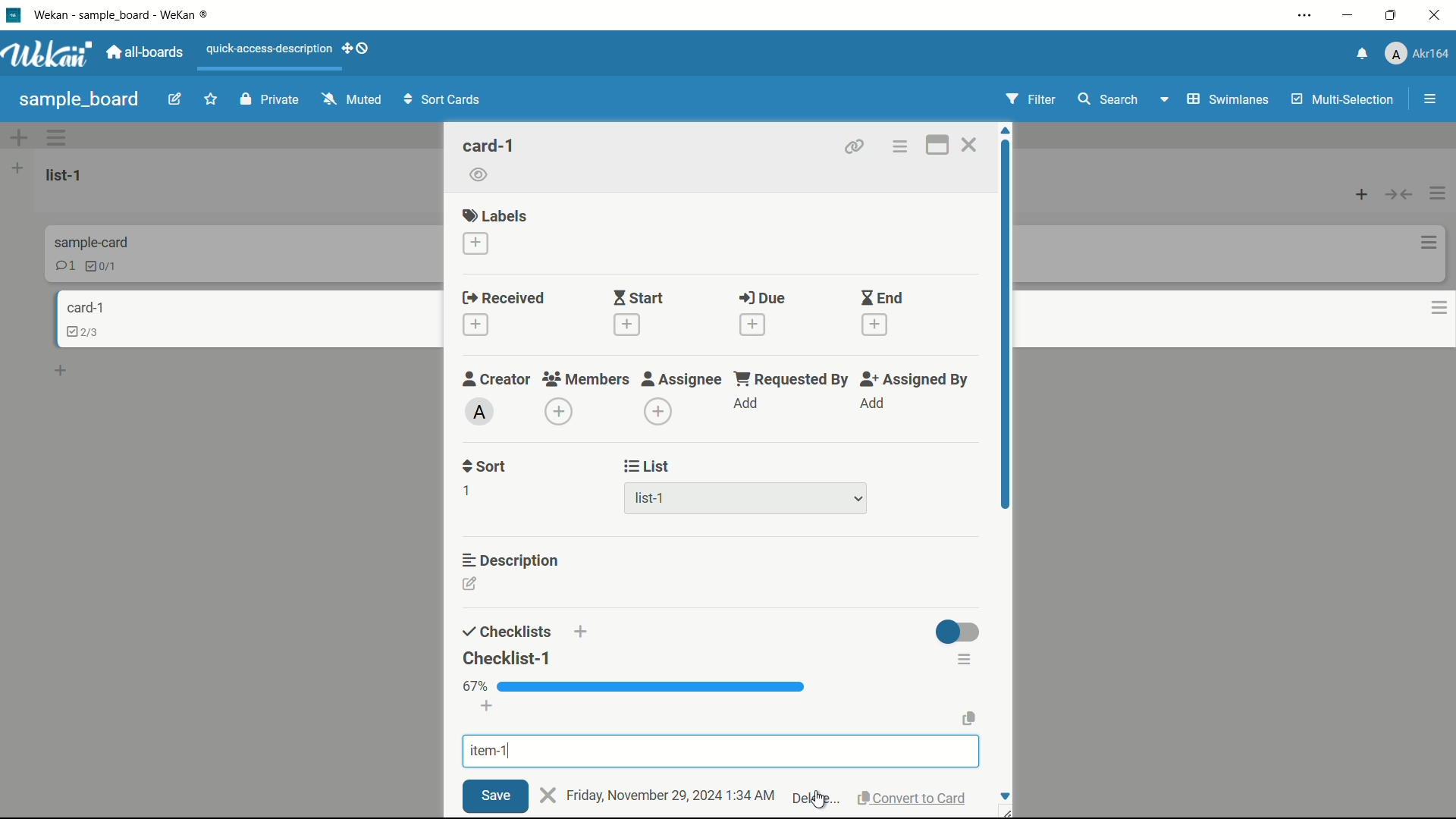  I want to click on delete, so click(816, 798).